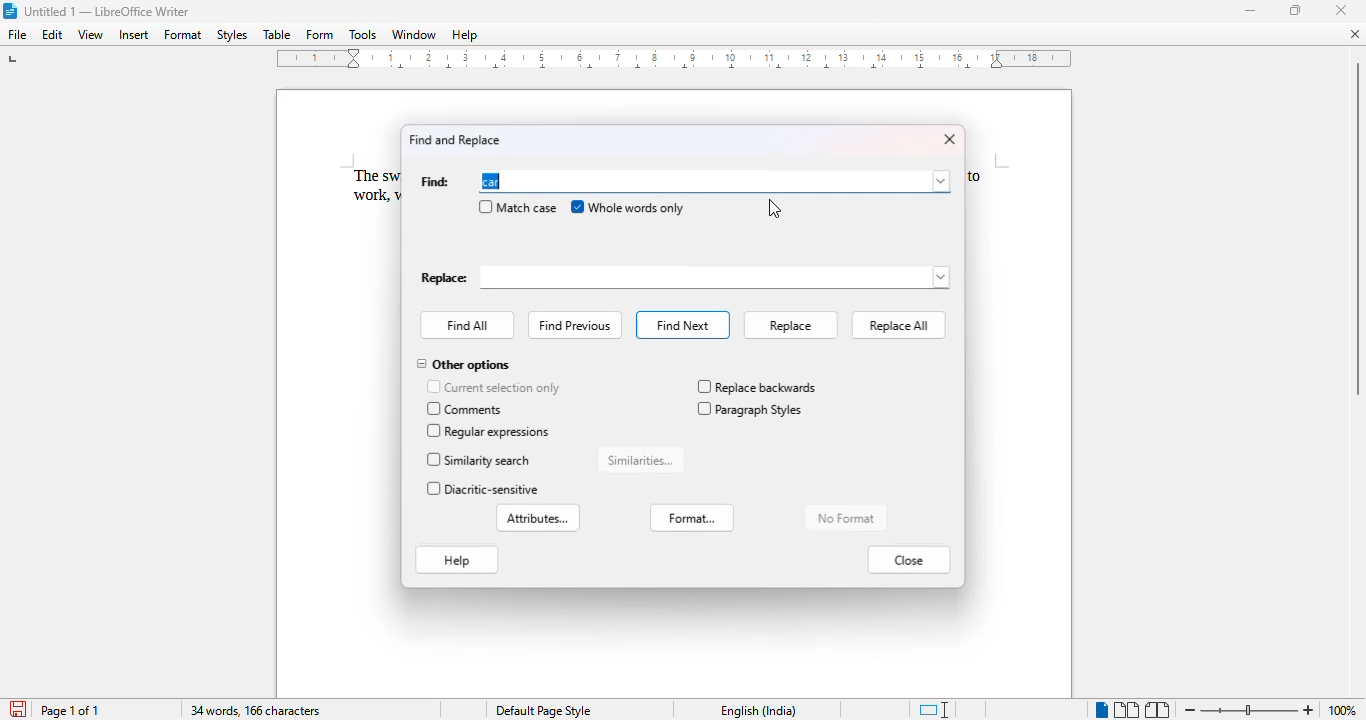 Image resolution: width=1366 pixels, height=720 pixels. I want to click on other options, so click(463, 366).